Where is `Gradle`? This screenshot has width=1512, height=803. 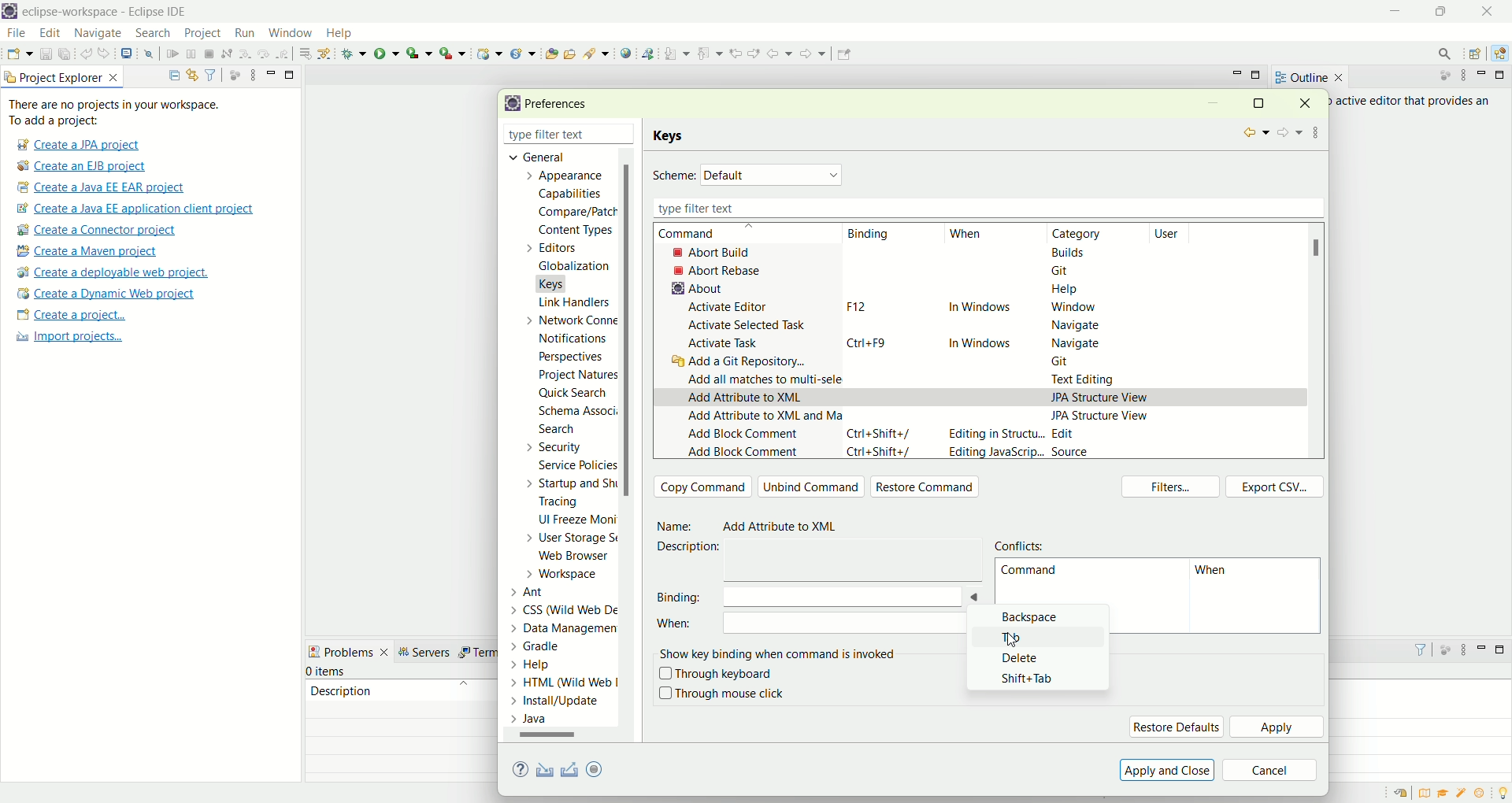
Gradle is located at coordinates (550, 645).